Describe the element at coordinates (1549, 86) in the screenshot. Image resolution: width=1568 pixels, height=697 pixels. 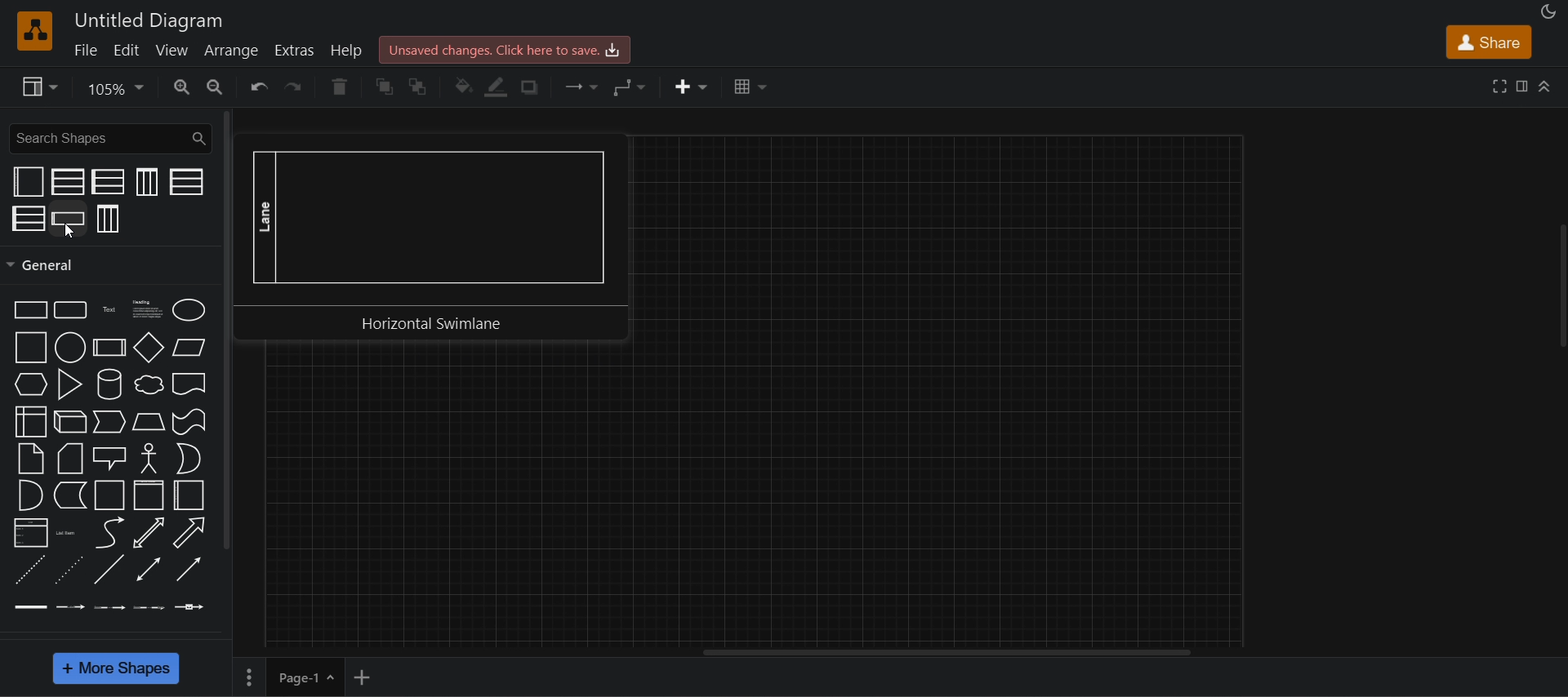
I see `collapase/expand` at that location.